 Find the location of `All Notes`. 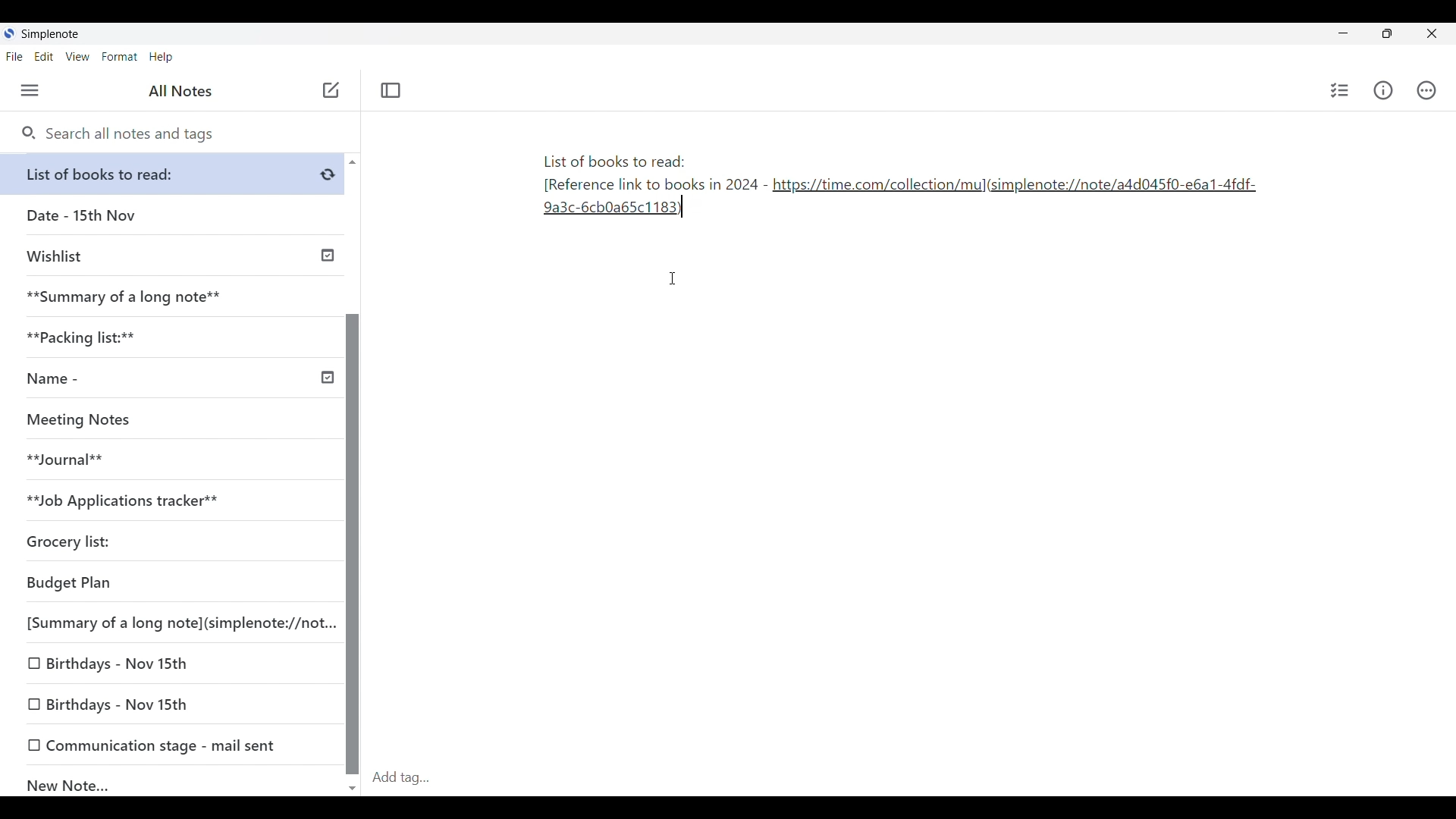

All Notes is located at coordinates (178, 91).